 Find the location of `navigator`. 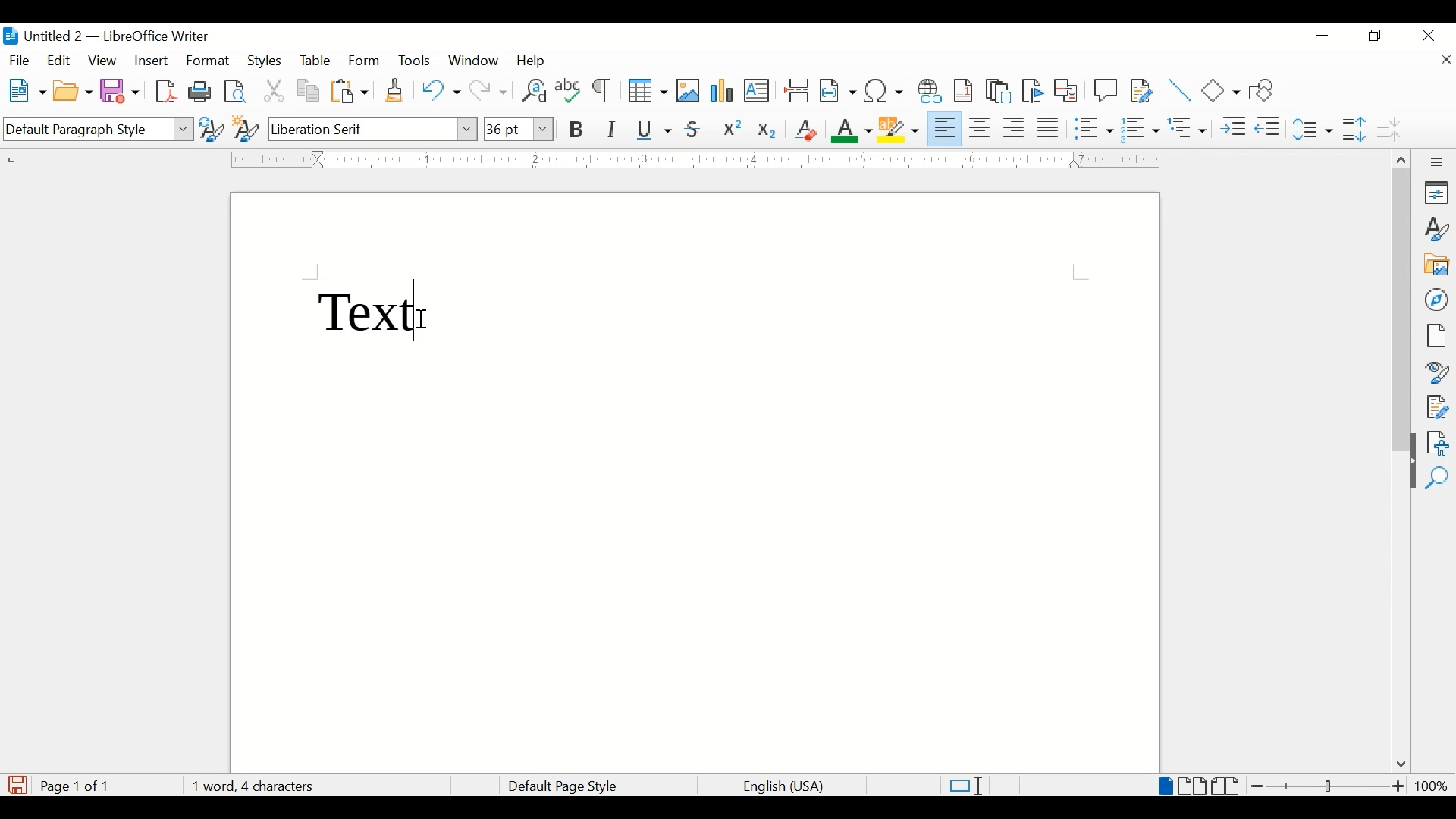

navigator is located at coordinates (1438, 300).